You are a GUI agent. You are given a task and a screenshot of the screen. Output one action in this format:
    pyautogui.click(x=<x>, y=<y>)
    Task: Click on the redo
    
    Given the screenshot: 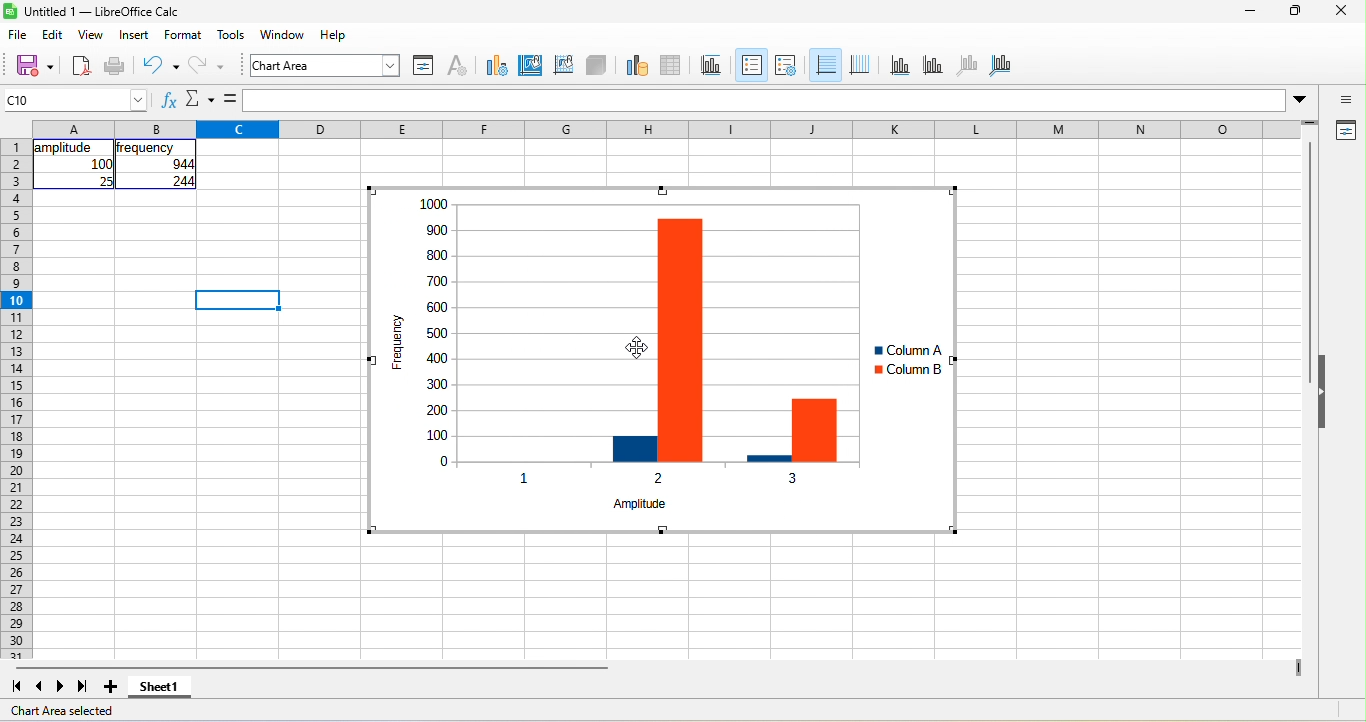 What is the action you would take?
    pyautogui.click(x=207, y=67)
    